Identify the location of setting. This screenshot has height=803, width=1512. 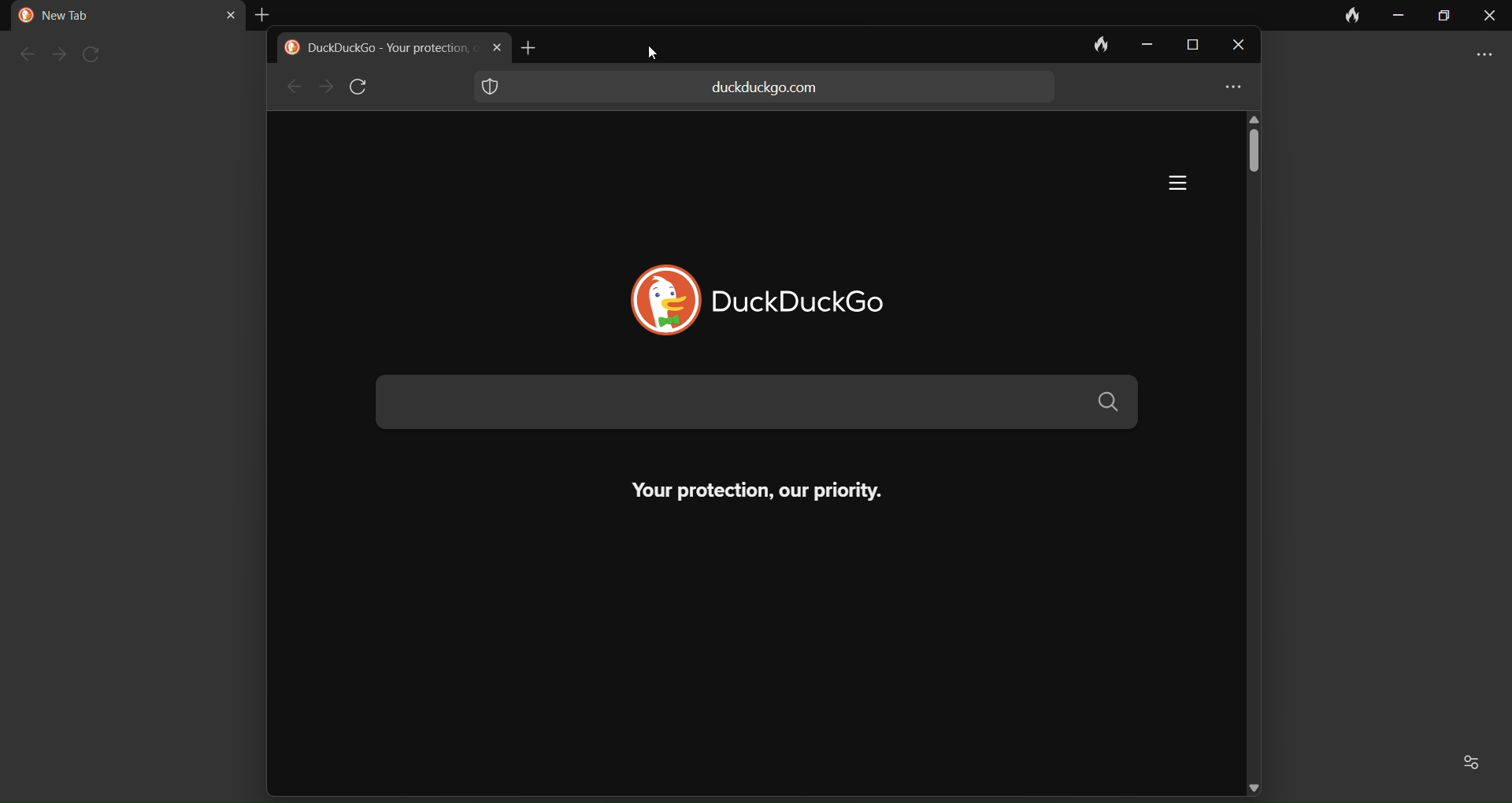
(1475, 762).